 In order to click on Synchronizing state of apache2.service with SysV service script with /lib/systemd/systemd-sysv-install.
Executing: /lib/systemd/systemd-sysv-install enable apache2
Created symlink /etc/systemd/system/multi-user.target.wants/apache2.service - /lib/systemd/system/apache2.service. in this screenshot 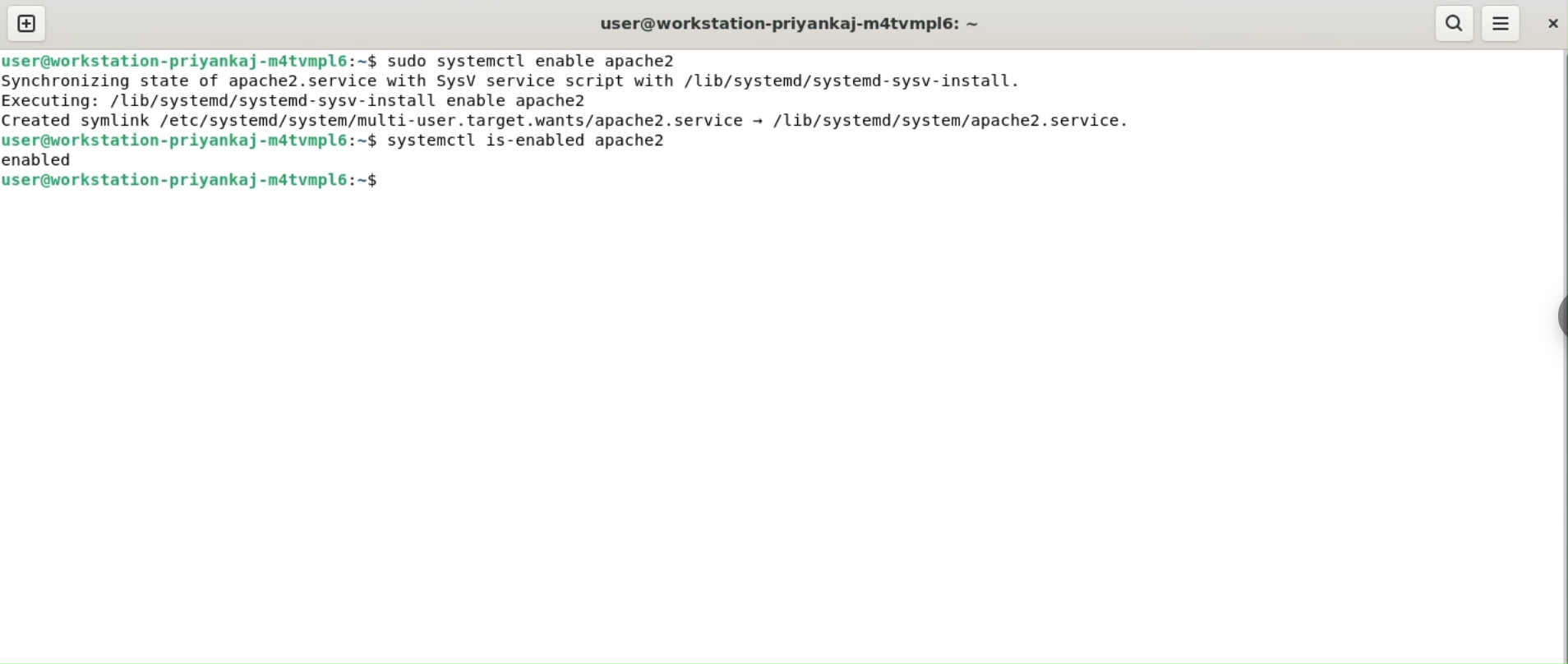, I will do `click(574, 100)`.